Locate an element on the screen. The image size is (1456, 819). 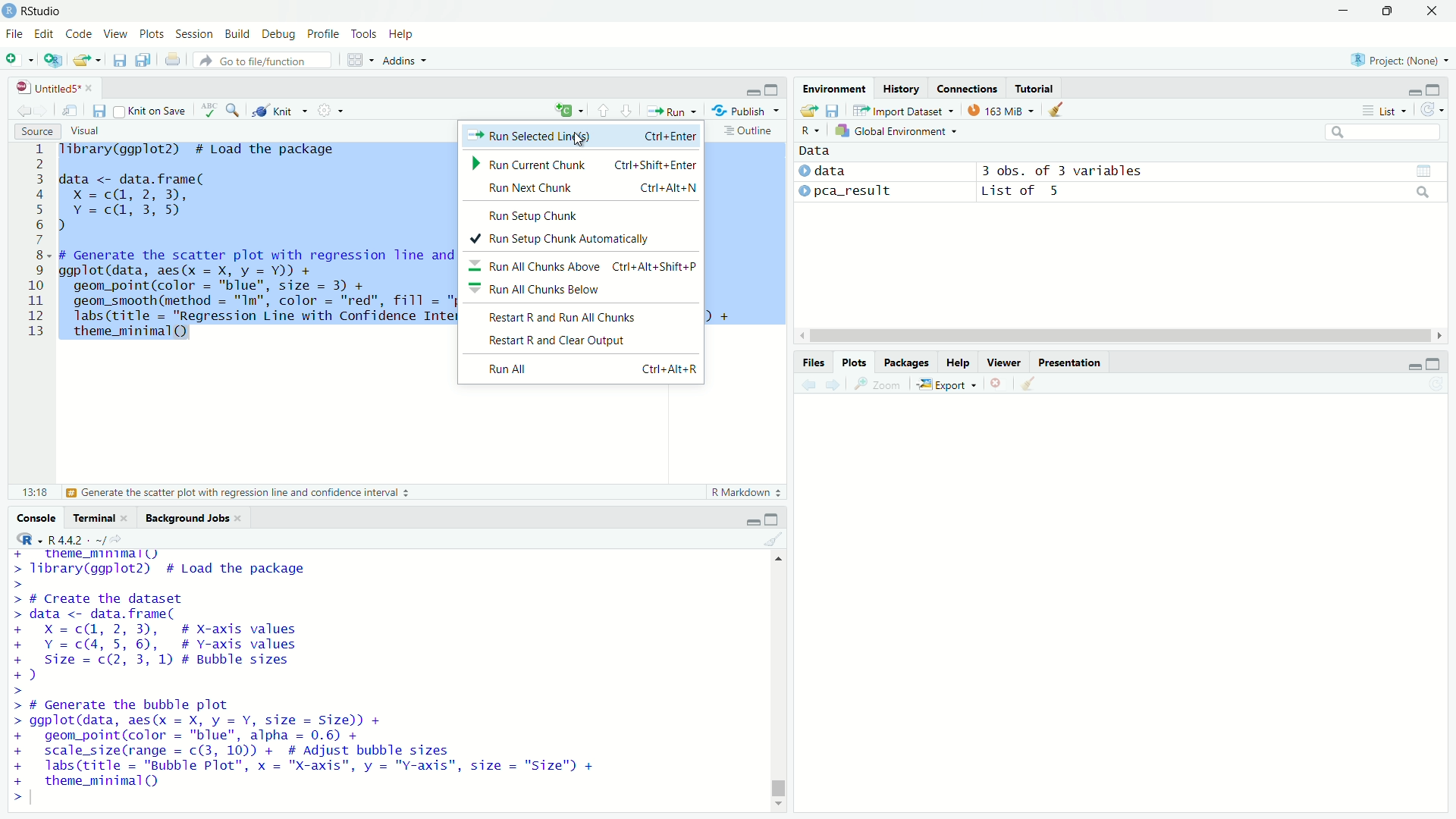
grid is located at coordinates (1423, 171).